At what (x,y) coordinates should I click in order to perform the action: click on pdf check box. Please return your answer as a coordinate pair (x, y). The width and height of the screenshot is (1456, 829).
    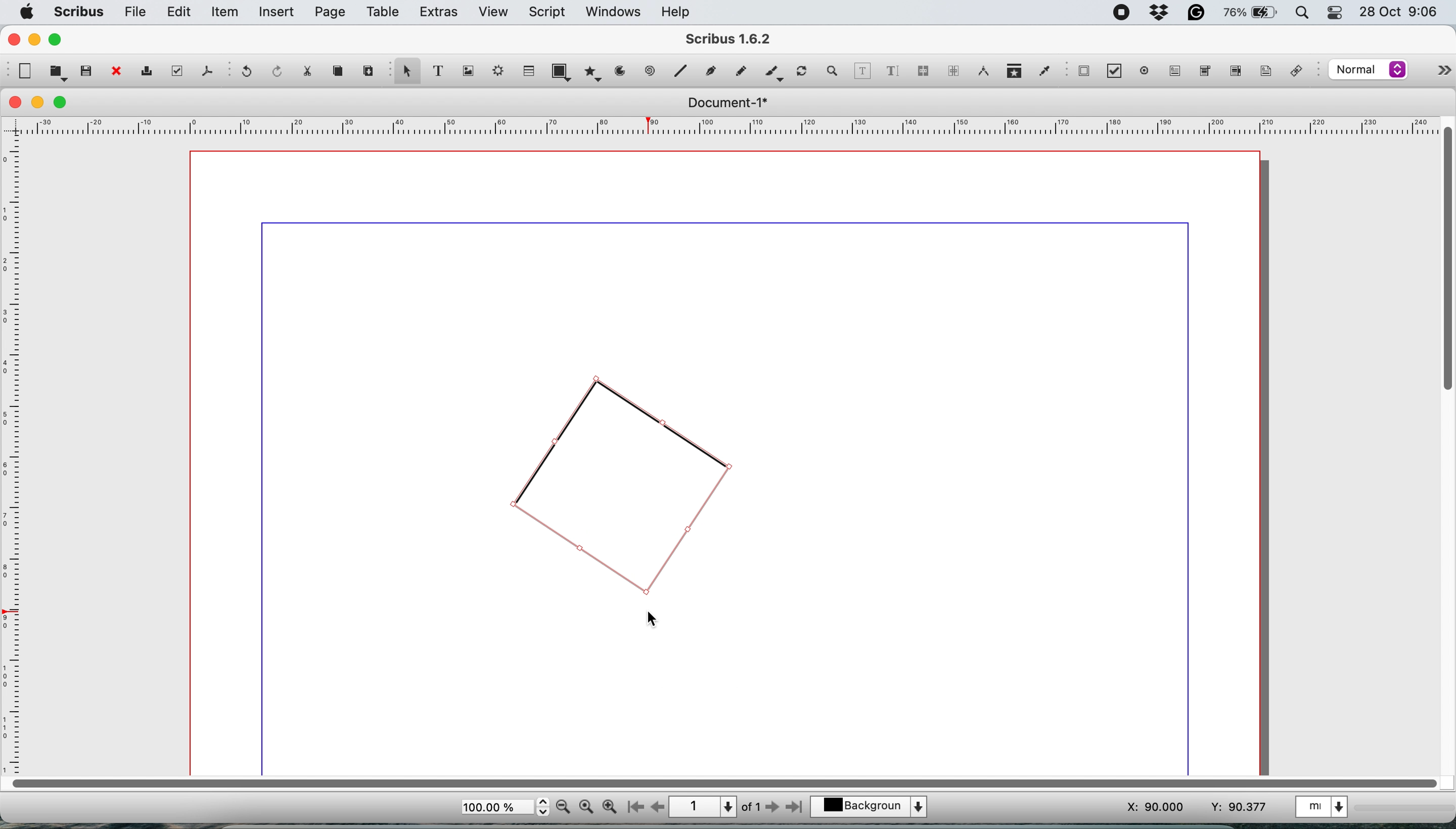
    Looking at the image, I should click on (1114, 71).